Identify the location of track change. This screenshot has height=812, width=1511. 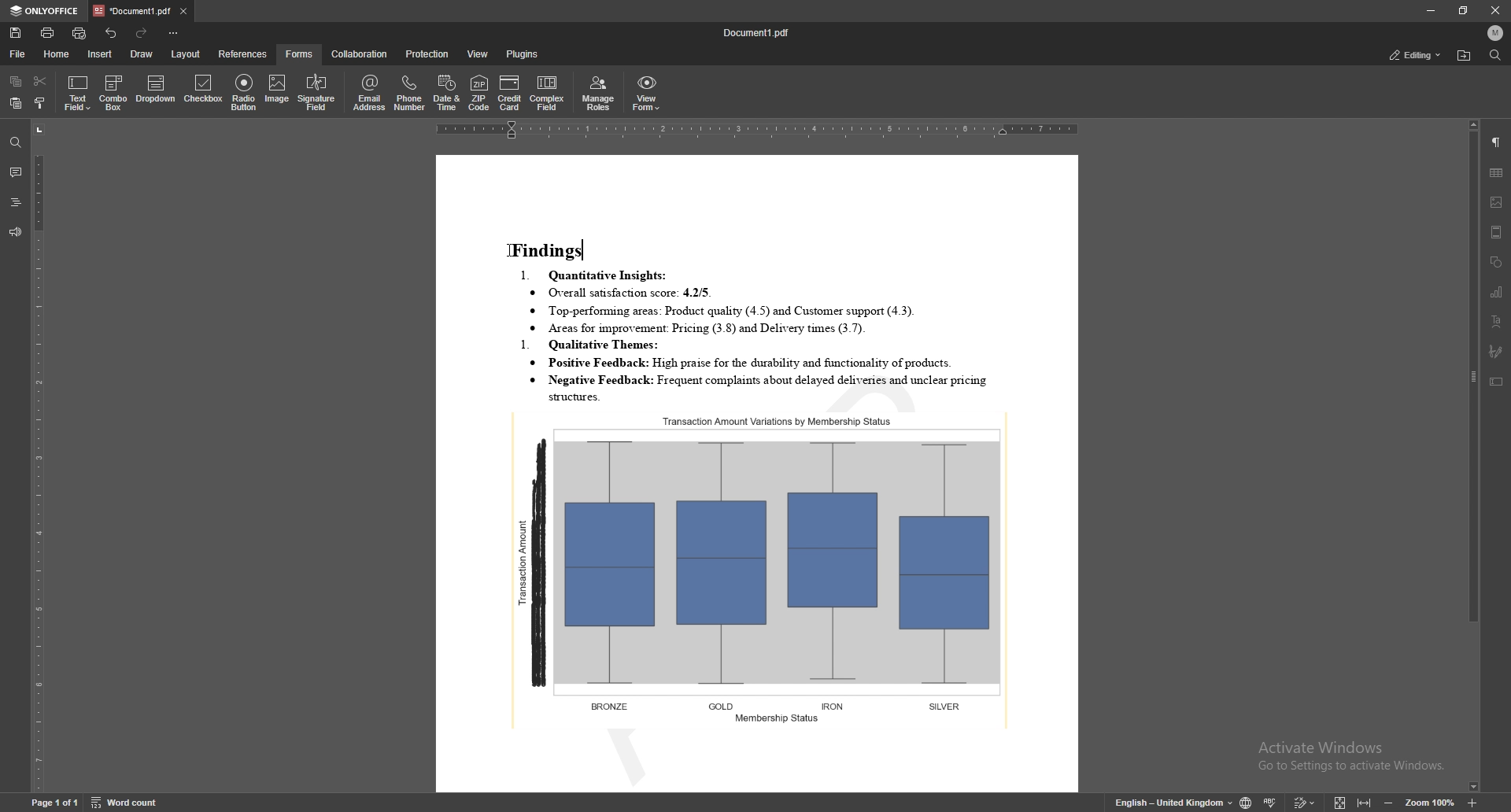
(1304, 803).